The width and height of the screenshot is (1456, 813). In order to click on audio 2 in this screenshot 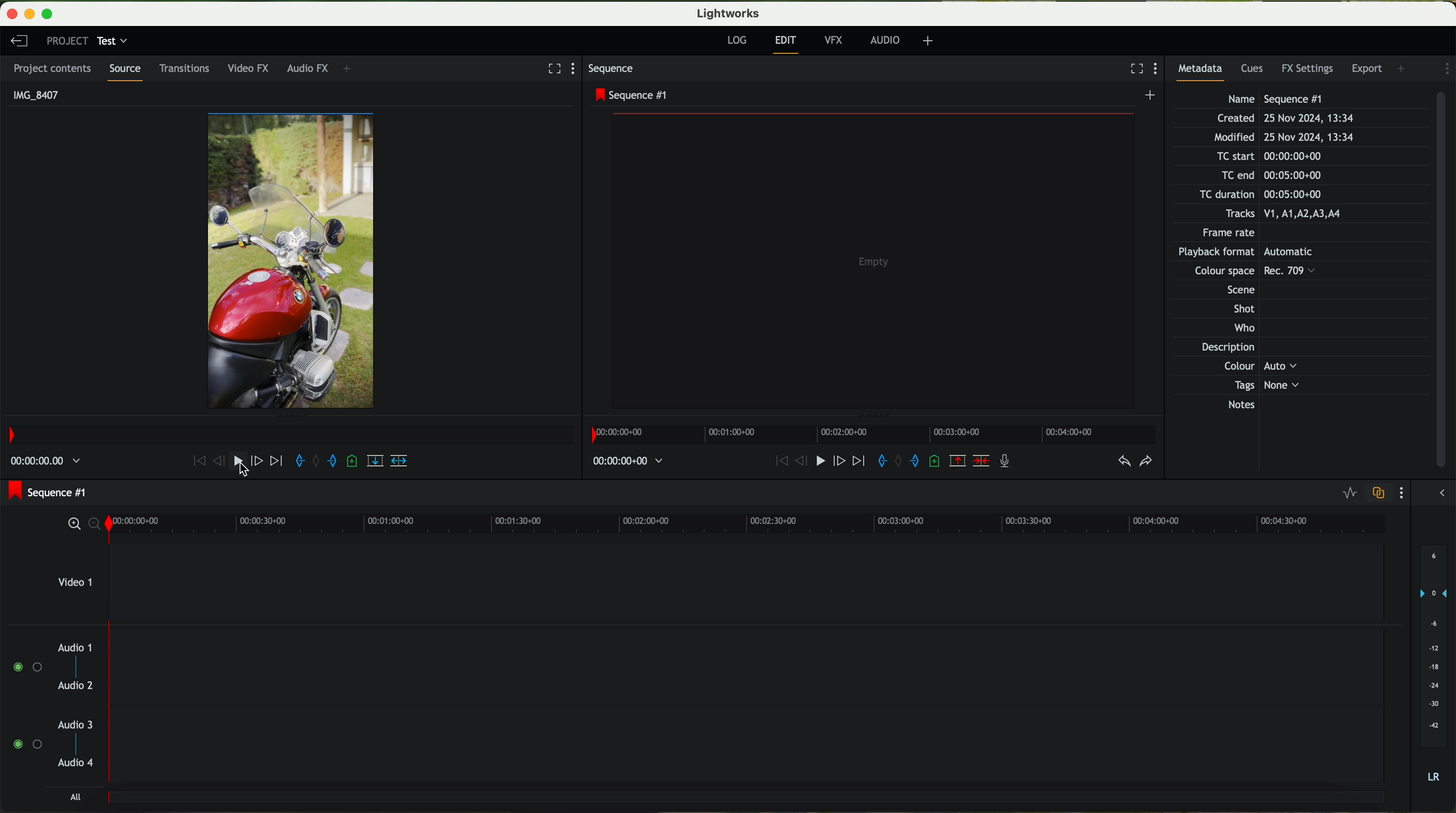, I will do `click(76, 687)`.